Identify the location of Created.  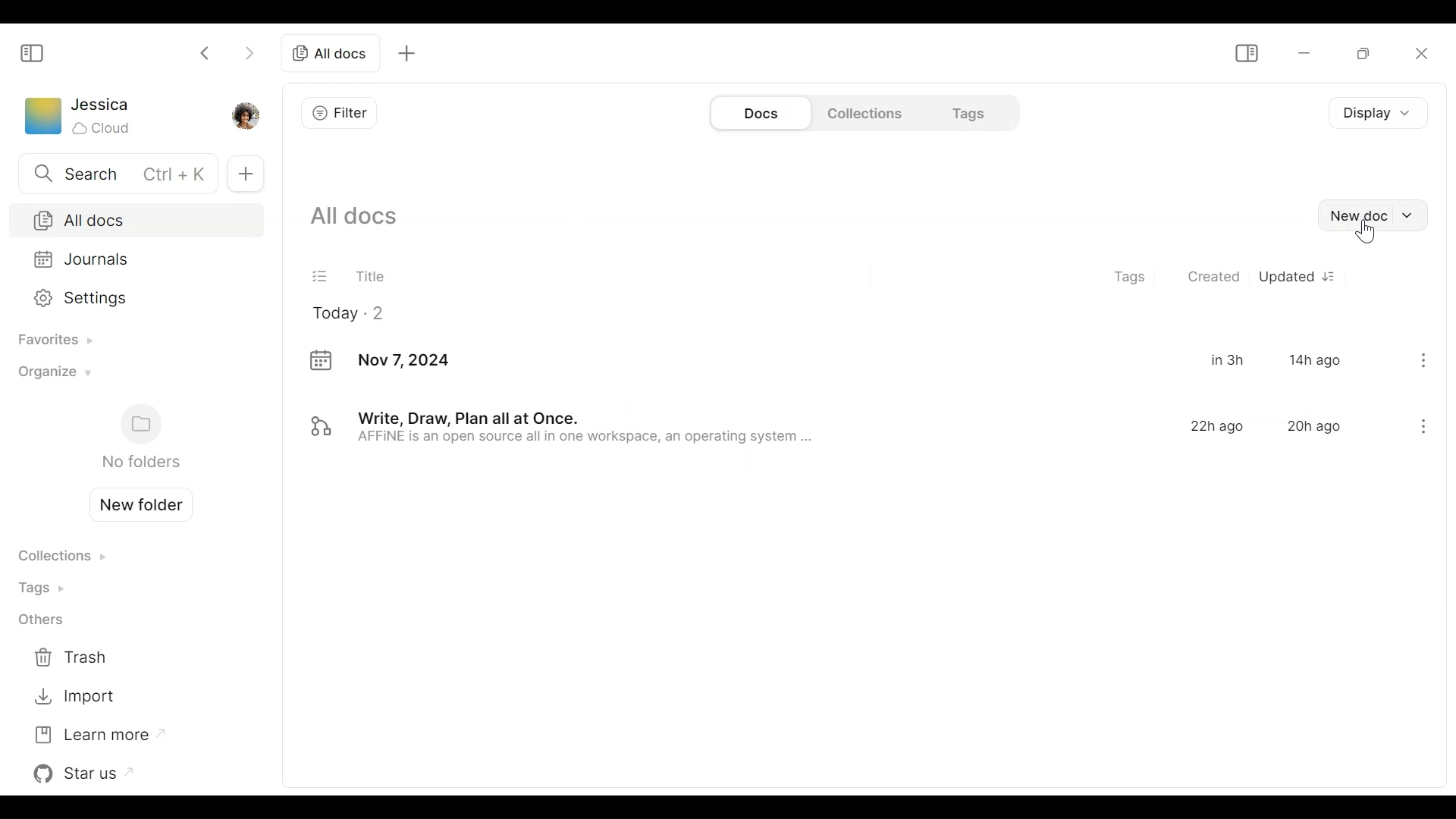
(1217, 277).